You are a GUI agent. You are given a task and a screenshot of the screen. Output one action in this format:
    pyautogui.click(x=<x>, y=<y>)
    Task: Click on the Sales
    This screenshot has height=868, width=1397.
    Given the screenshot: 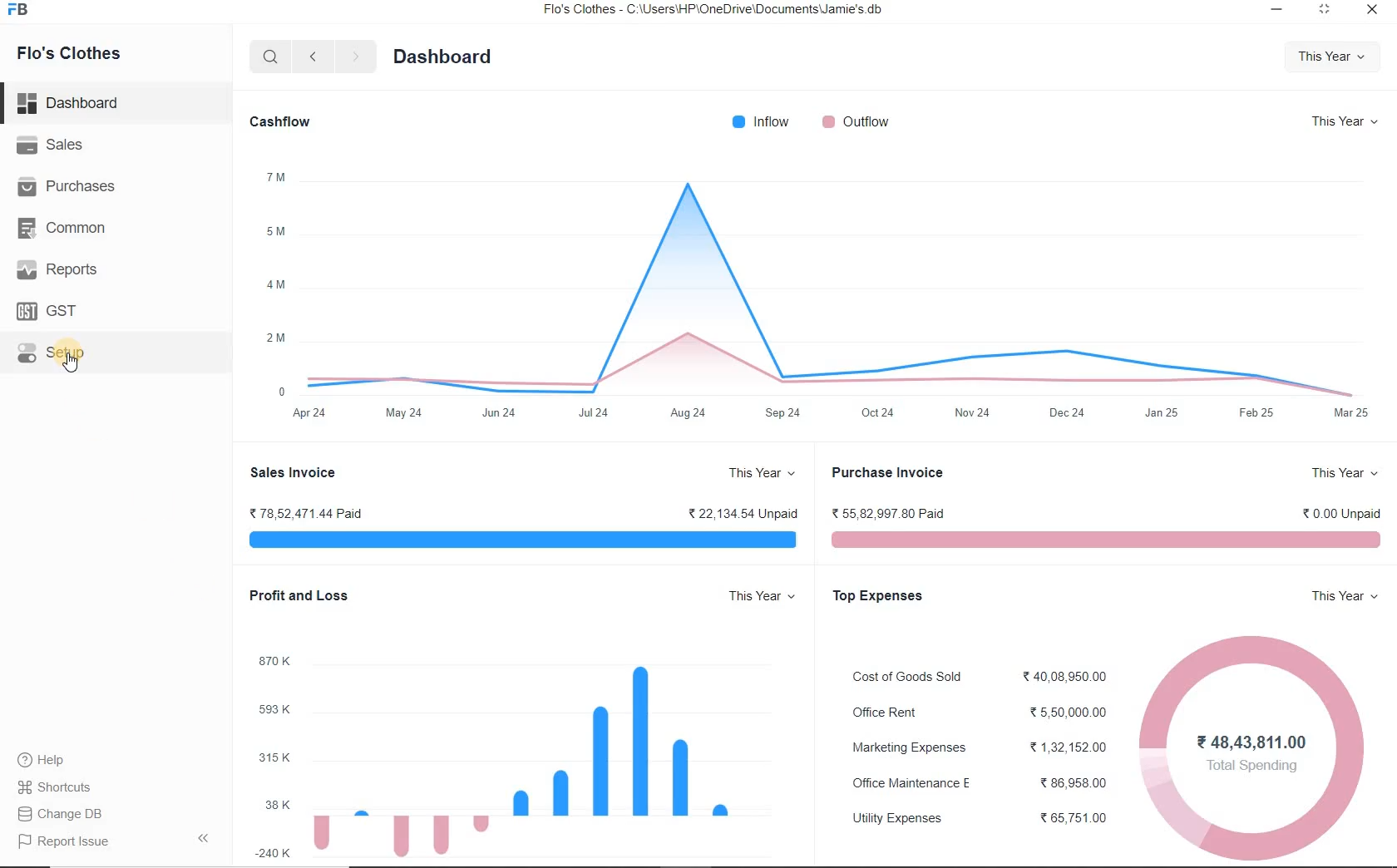 What is the action you would take?
    pyautogui.click(x=53, y=146)
    